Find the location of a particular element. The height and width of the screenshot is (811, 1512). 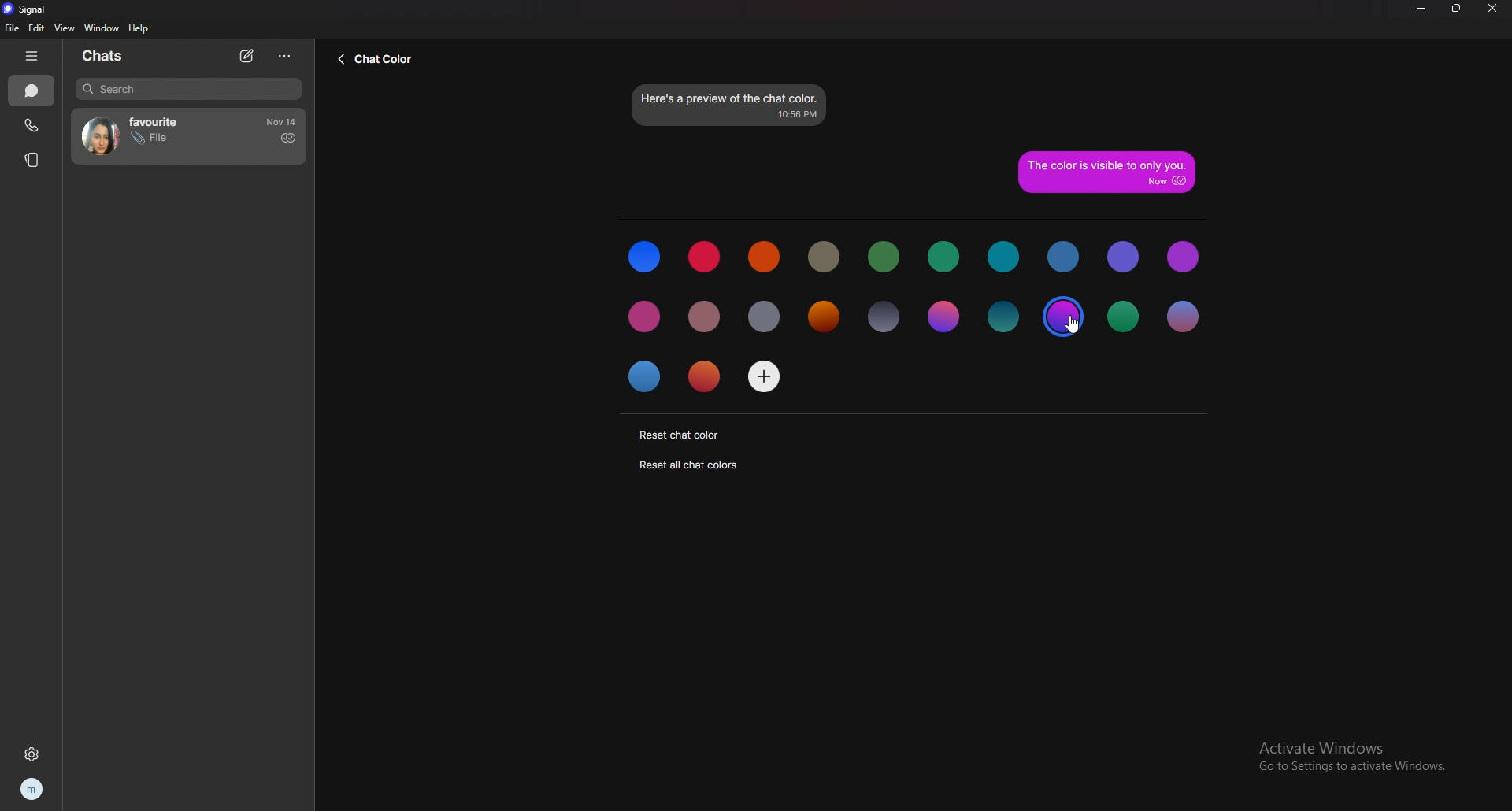

minimize is located at coordinates (1419, 8).